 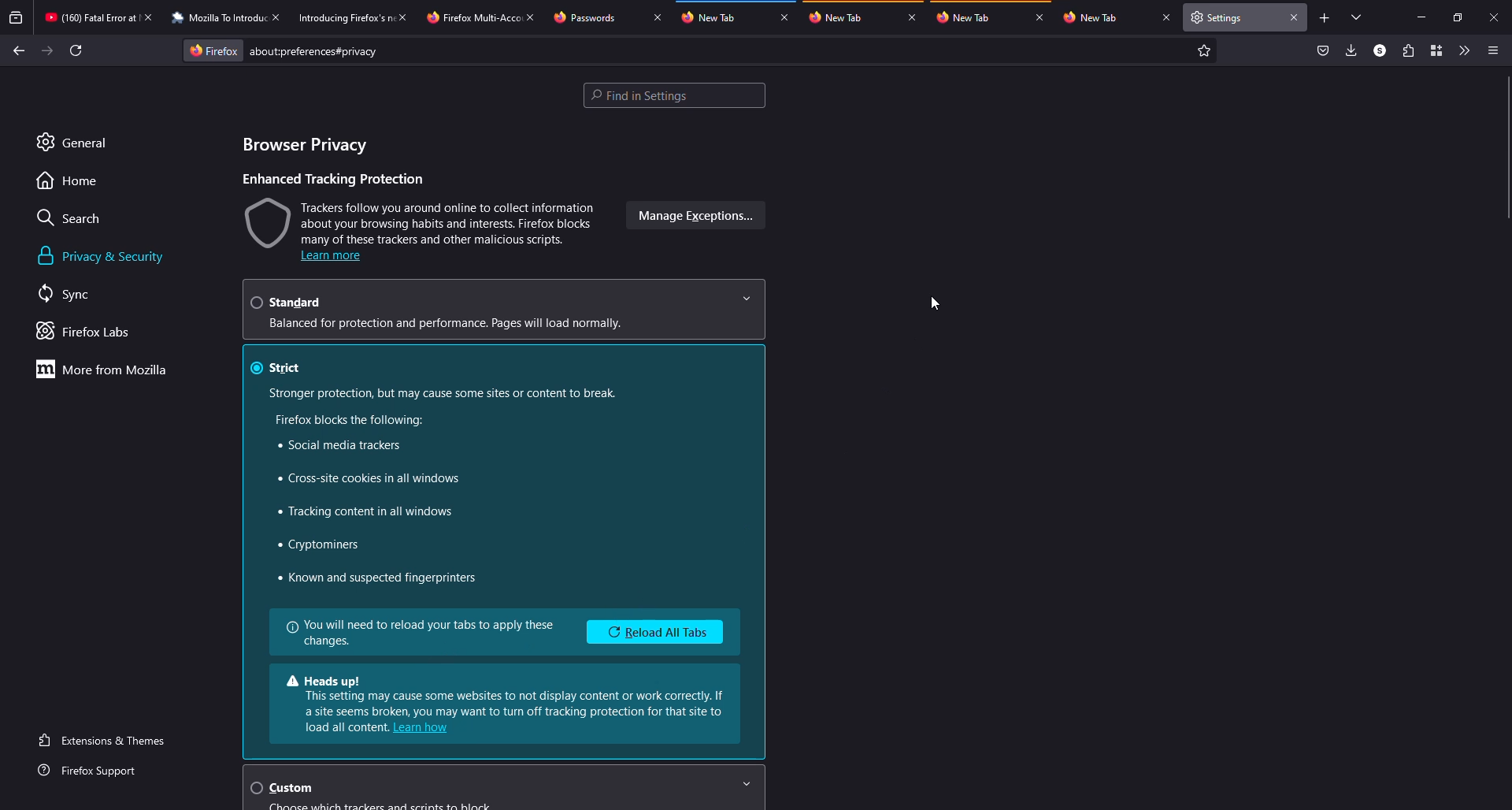 I want to click on tracking content in all windows, so click(x=380, y=512).